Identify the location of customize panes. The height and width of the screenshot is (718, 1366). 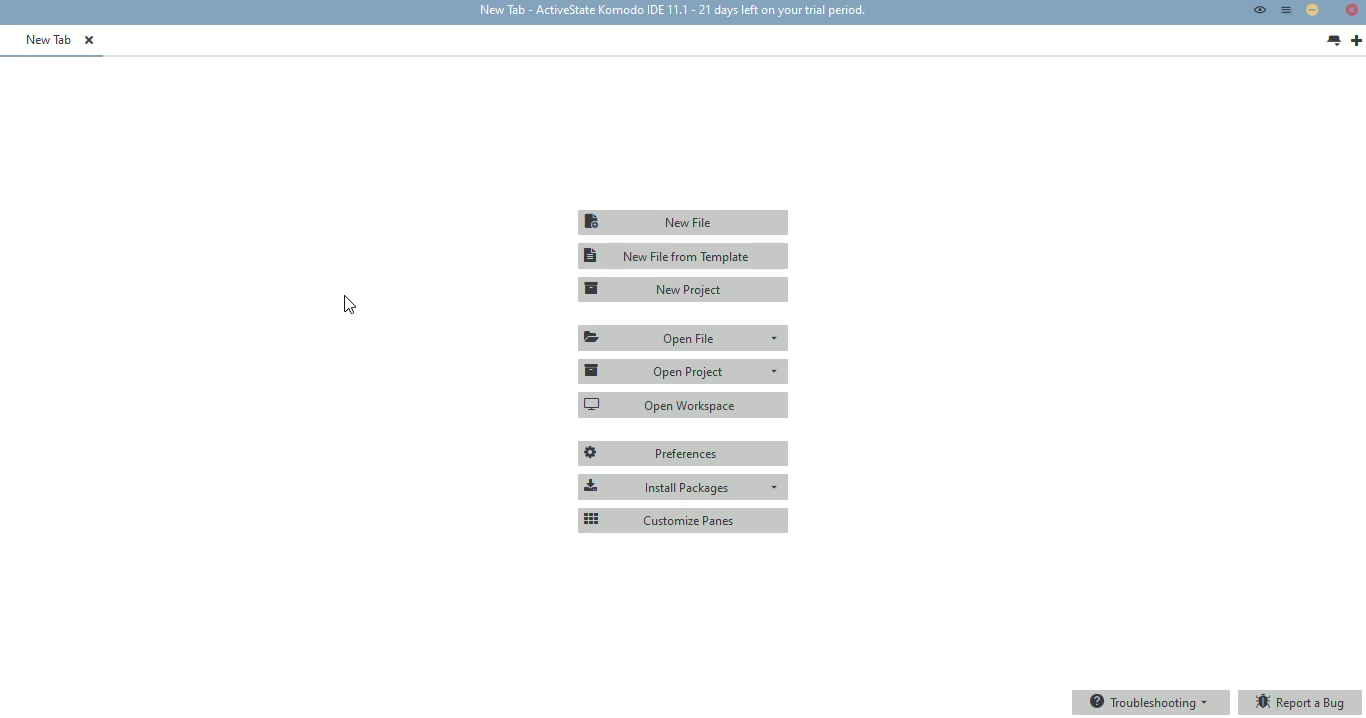
(684, 521).